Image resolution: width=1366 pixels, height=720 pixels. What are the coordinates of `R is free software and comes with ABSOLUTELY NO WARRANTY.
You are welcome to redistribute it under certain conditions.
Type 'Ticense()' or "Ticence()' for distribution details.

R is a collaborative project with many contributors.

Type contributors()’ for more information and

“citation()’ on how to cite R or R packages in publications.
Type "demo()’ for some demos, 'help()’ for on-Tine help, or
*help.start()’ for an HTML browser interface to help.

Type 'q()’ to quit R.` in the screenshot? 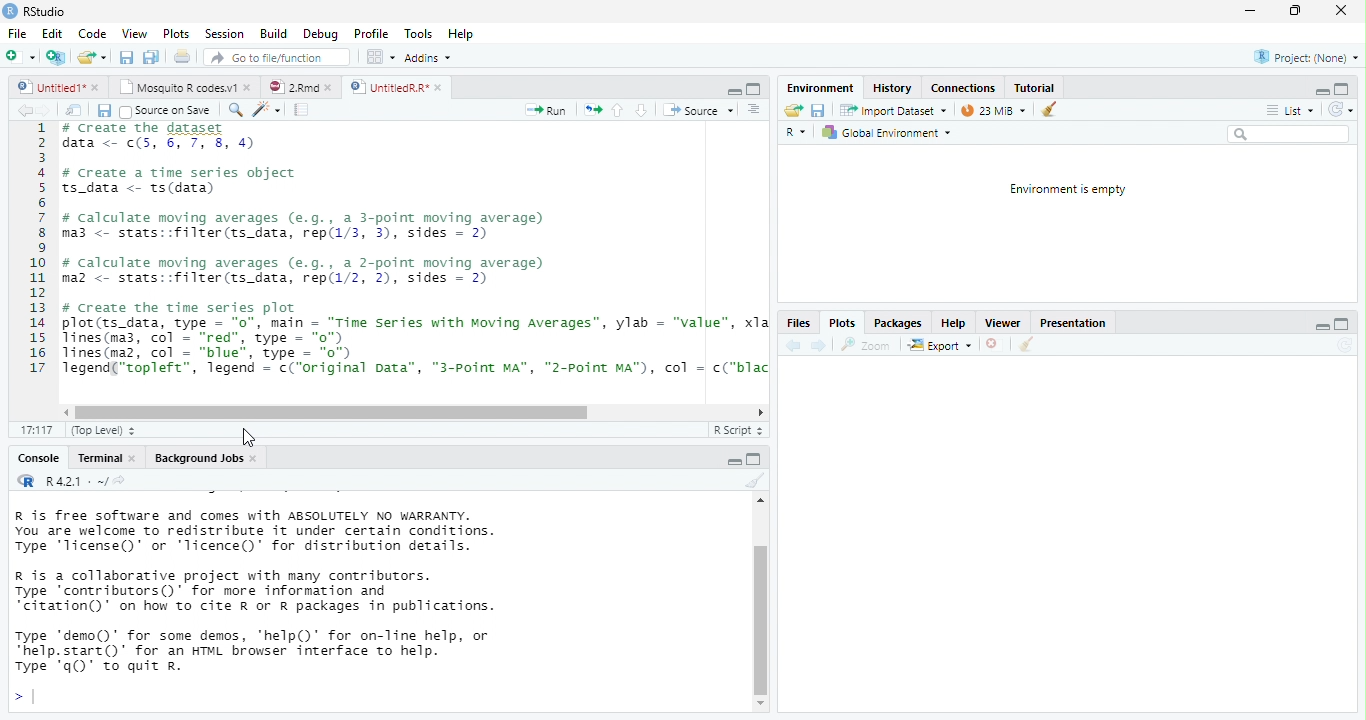 It's located at (340, 591).